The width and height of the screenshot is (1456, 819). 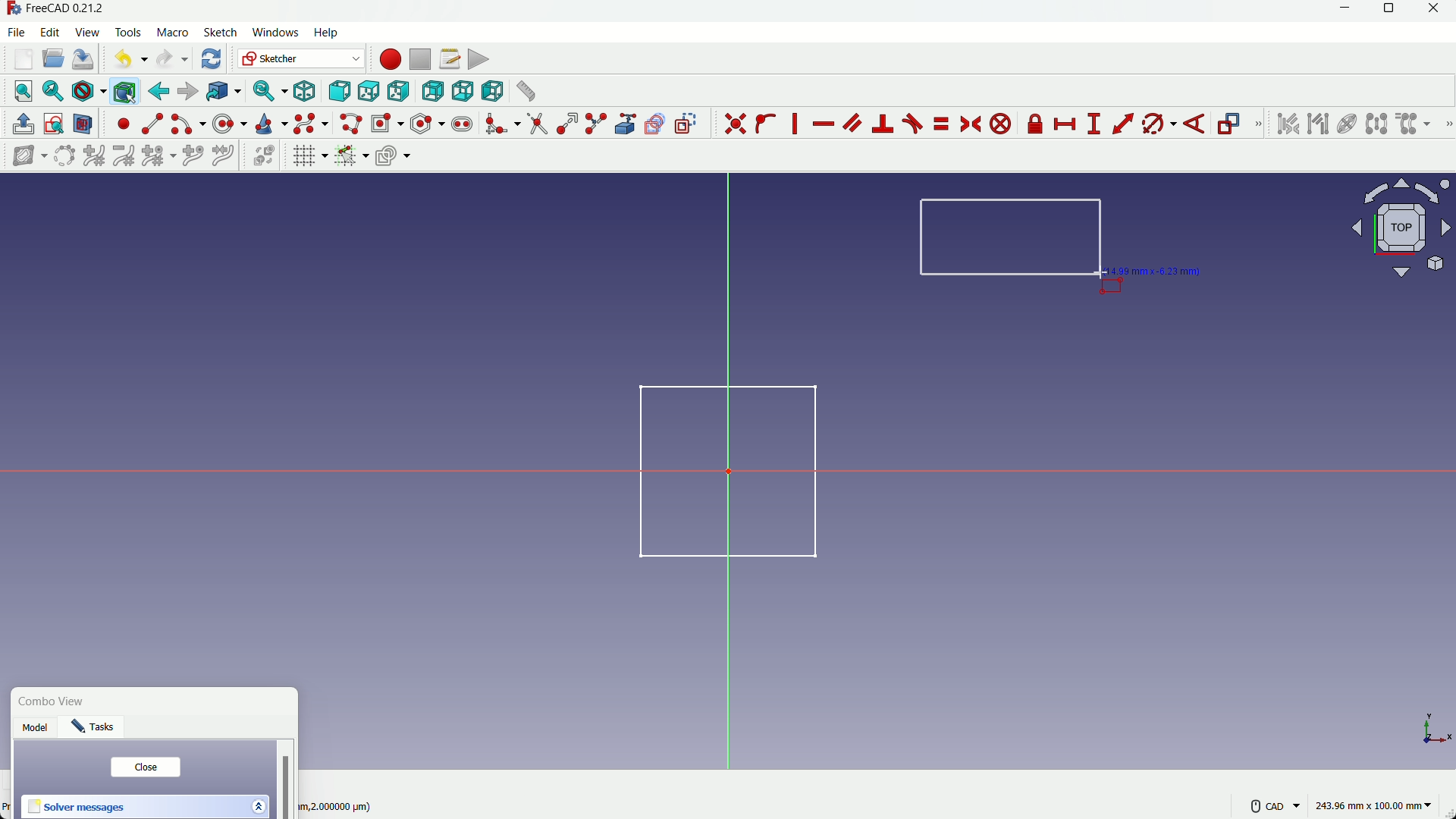 I want to click on toggle grid, so click(x=309, y=155).